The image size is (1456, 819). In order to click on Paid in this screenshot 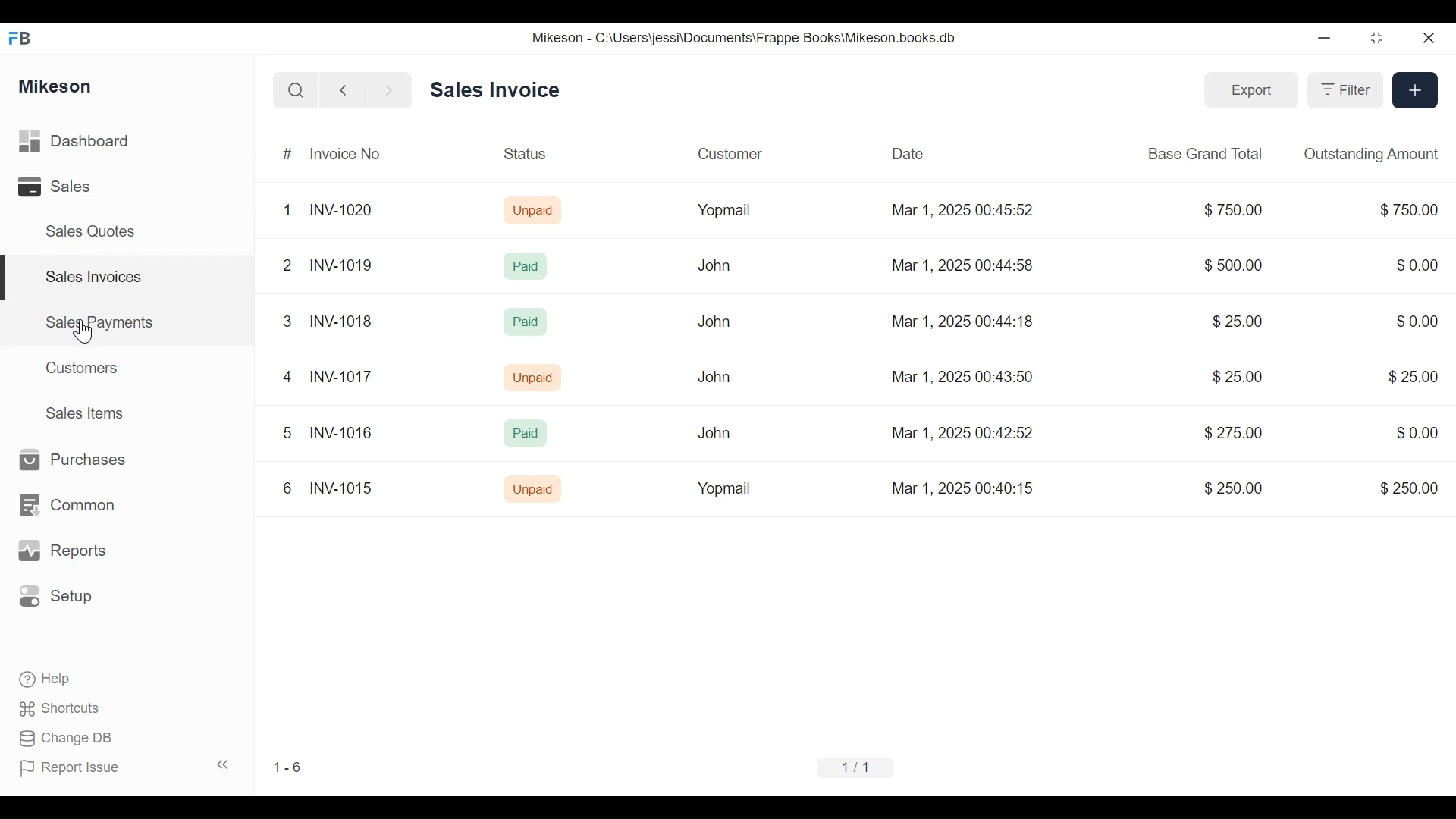, I will do `click(522, 319)`.